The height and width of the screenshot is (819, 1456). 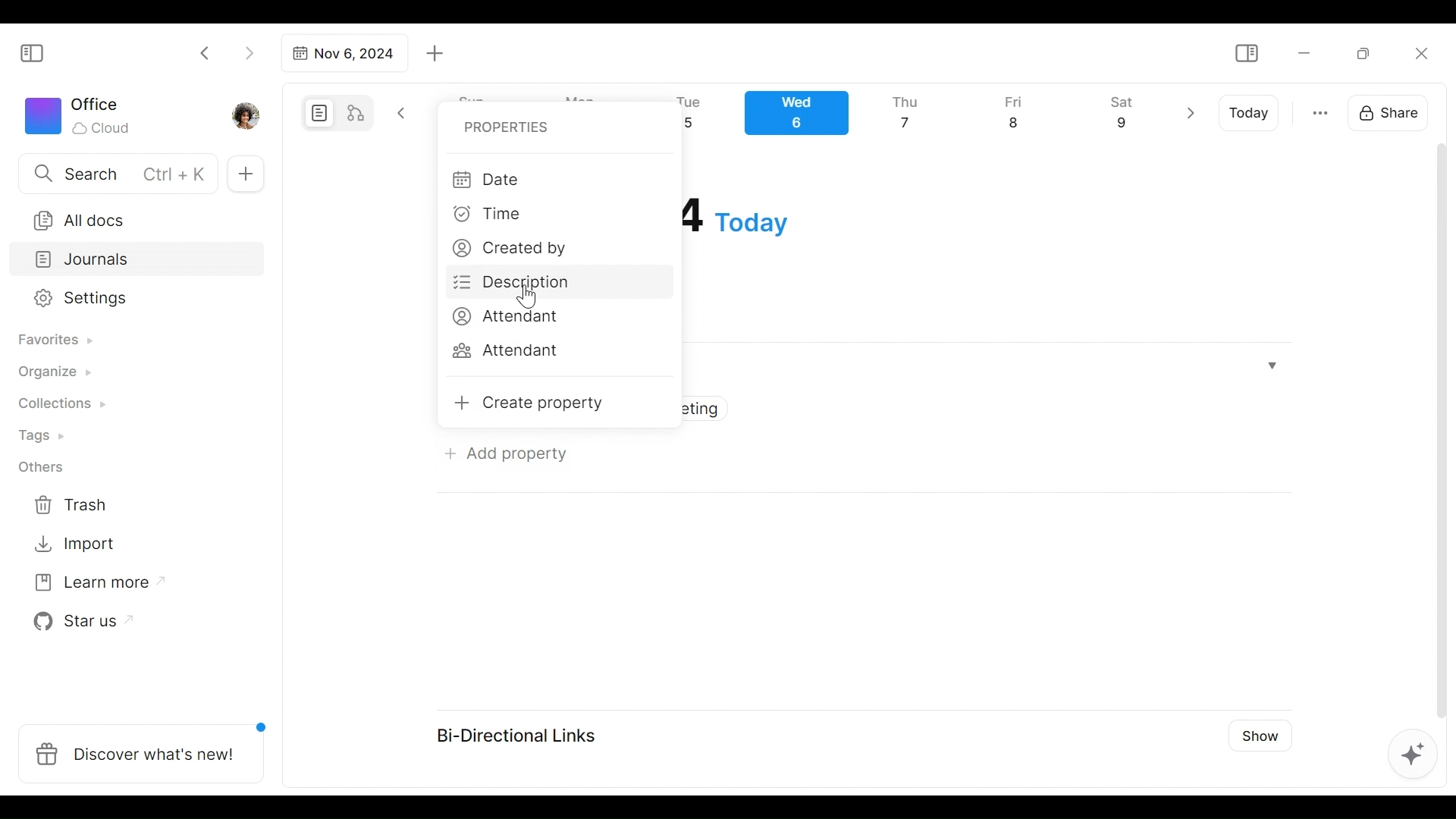 What do you see at coordinates (249, 52) in the screenshot?
I see `Click to go forward` at bounding box center [249, 52].